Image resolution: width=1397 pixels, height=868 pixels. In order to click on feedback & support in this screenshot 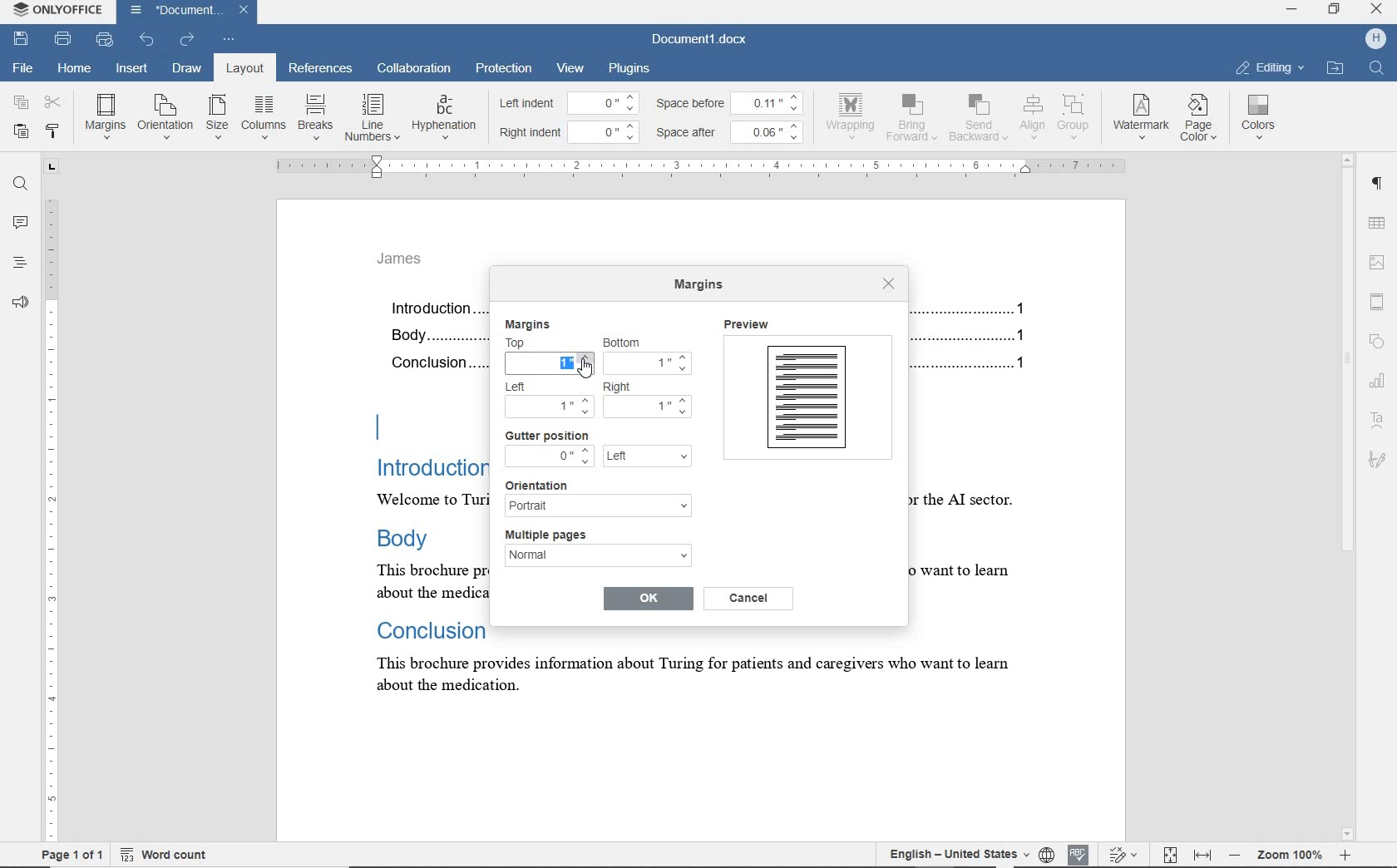, I will do `click(19, 303)`.